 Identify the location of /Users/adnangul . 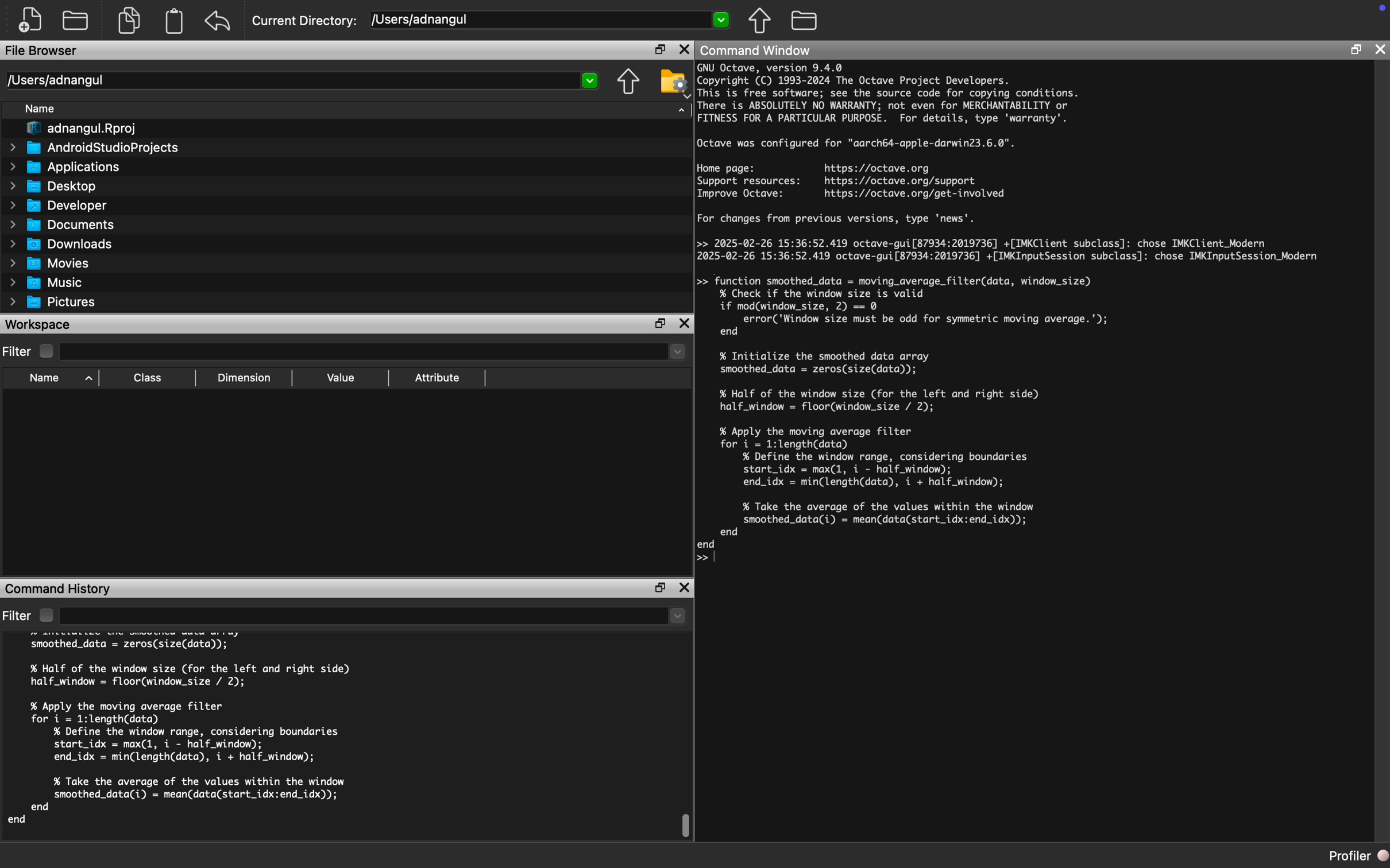
(303, 80).